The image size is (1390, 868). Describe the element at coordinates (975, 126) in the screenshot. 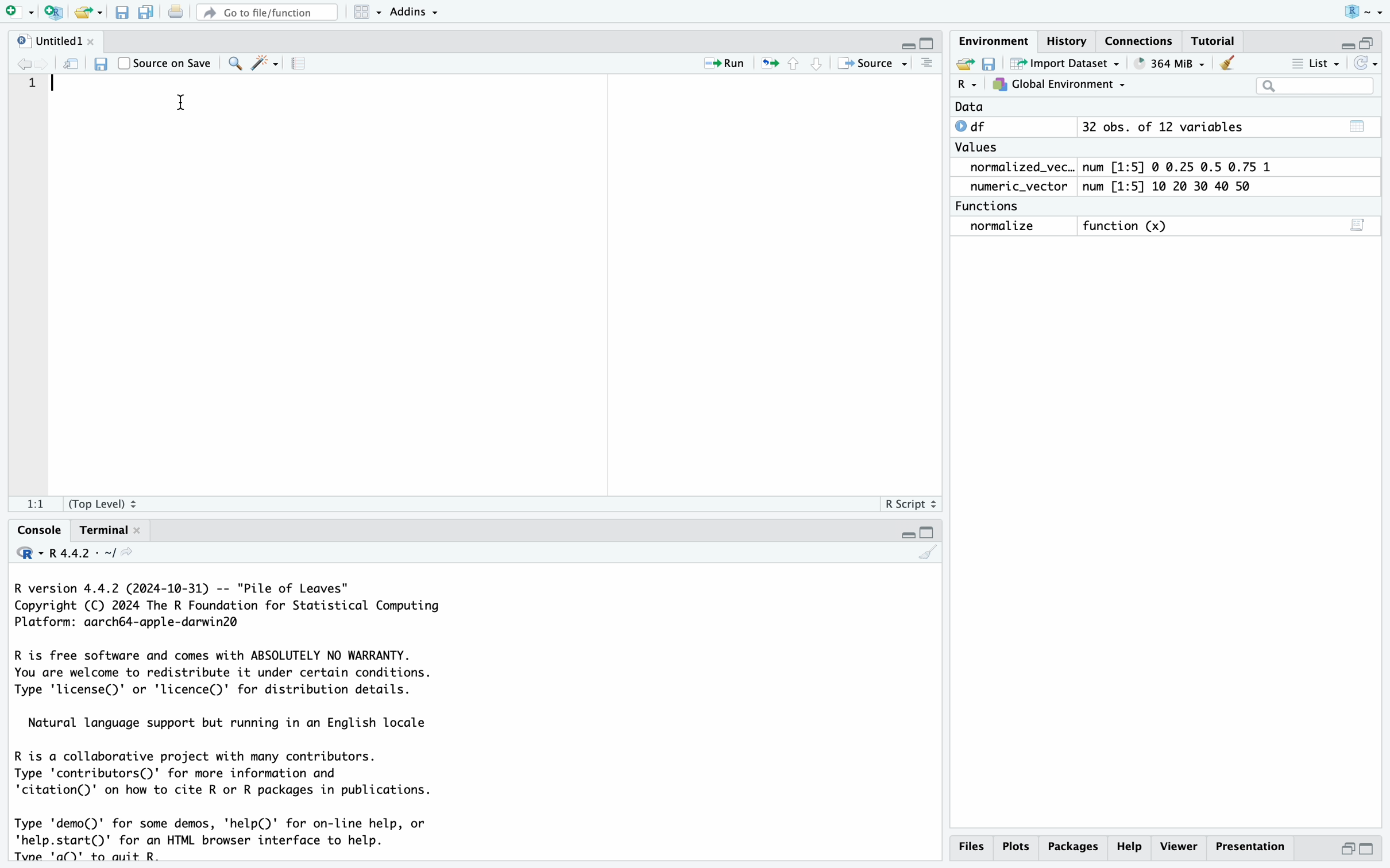

I see `df` at that location.